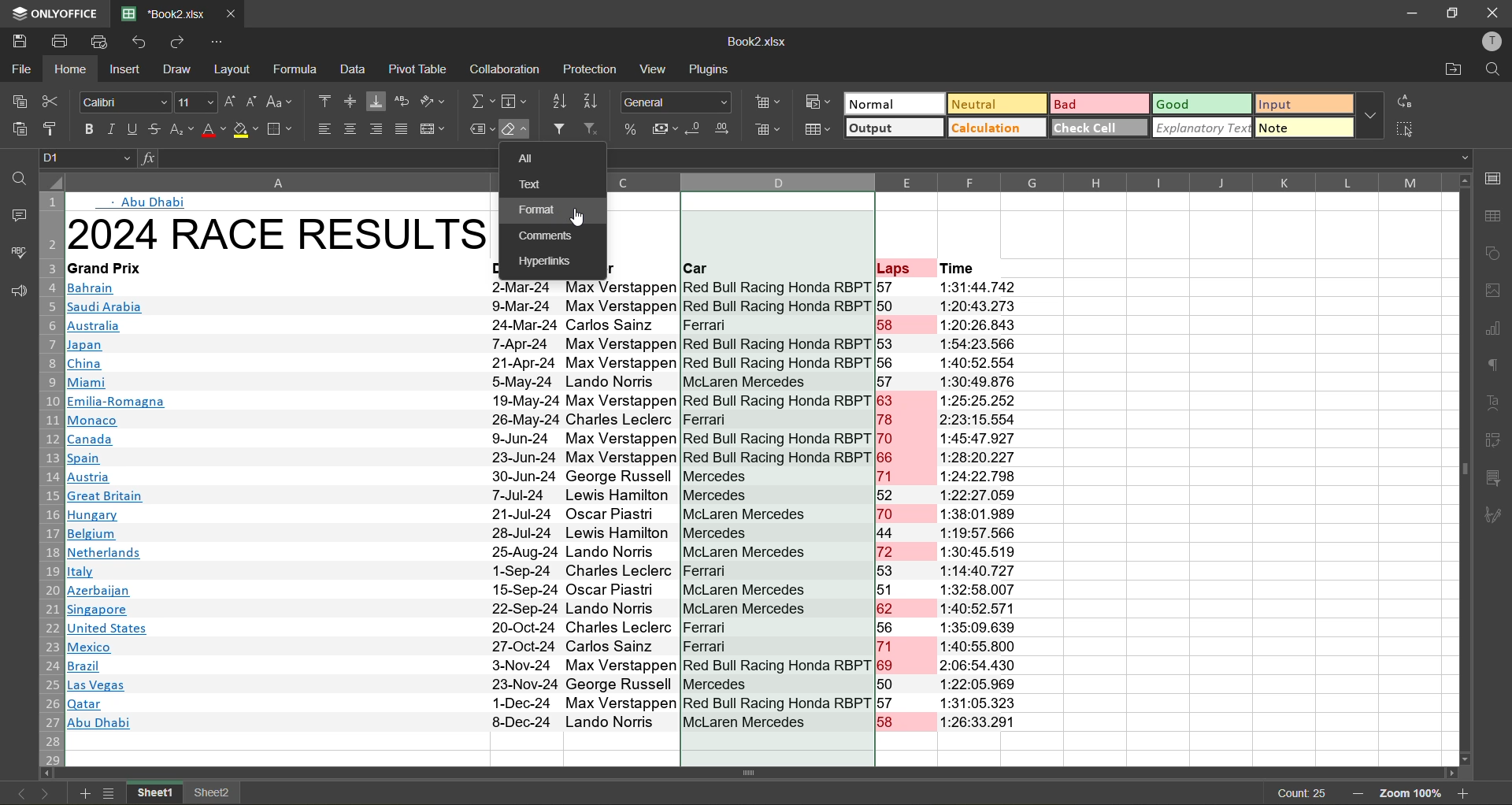 The width and height of the screenshot is (1512, 805). What do you see at coordinates (19, 176) in the screenshot?
I see `find` at bounding box center [19, 176].